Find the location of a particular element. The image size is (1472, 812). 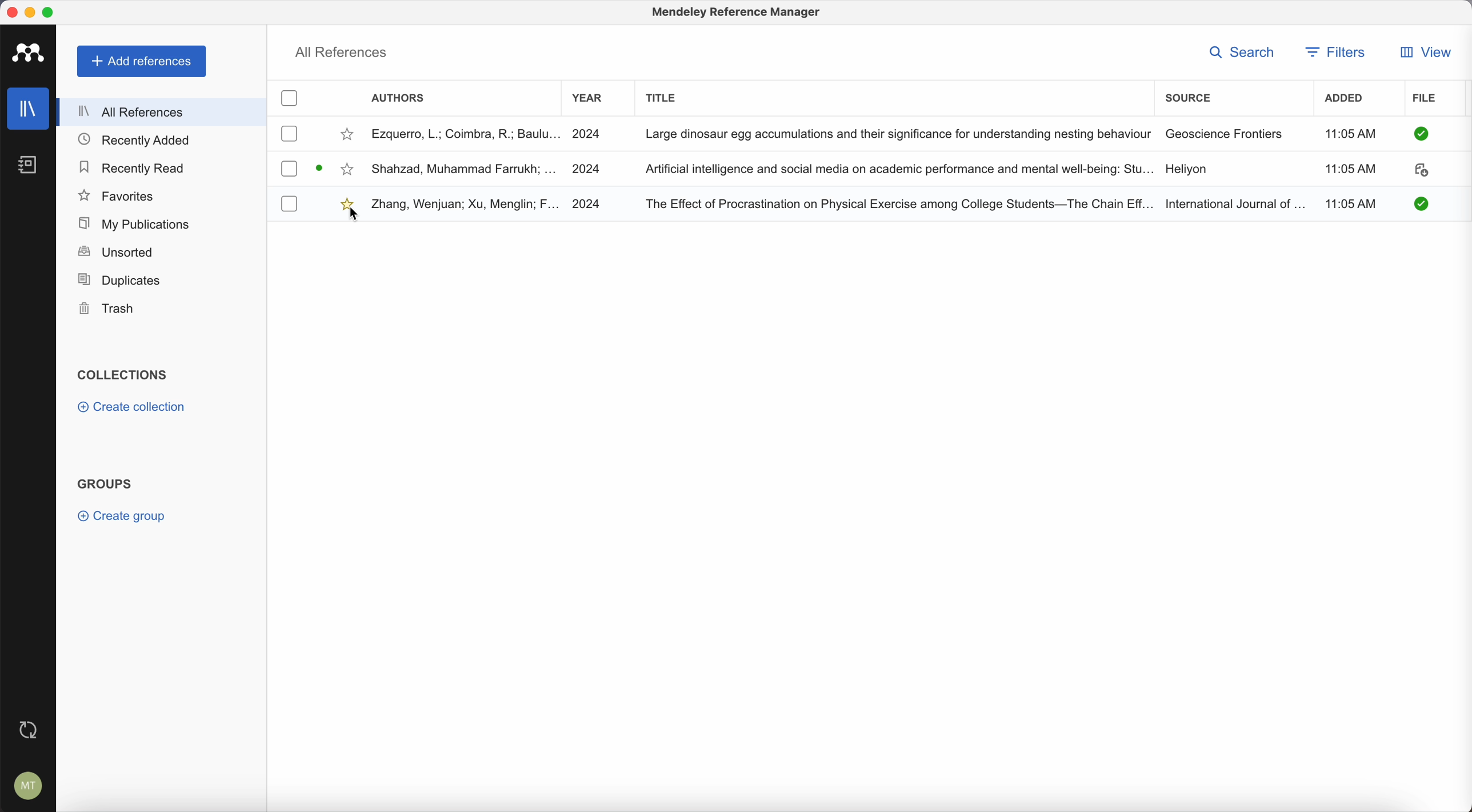

duplicates is located at coordinates (119, 280).